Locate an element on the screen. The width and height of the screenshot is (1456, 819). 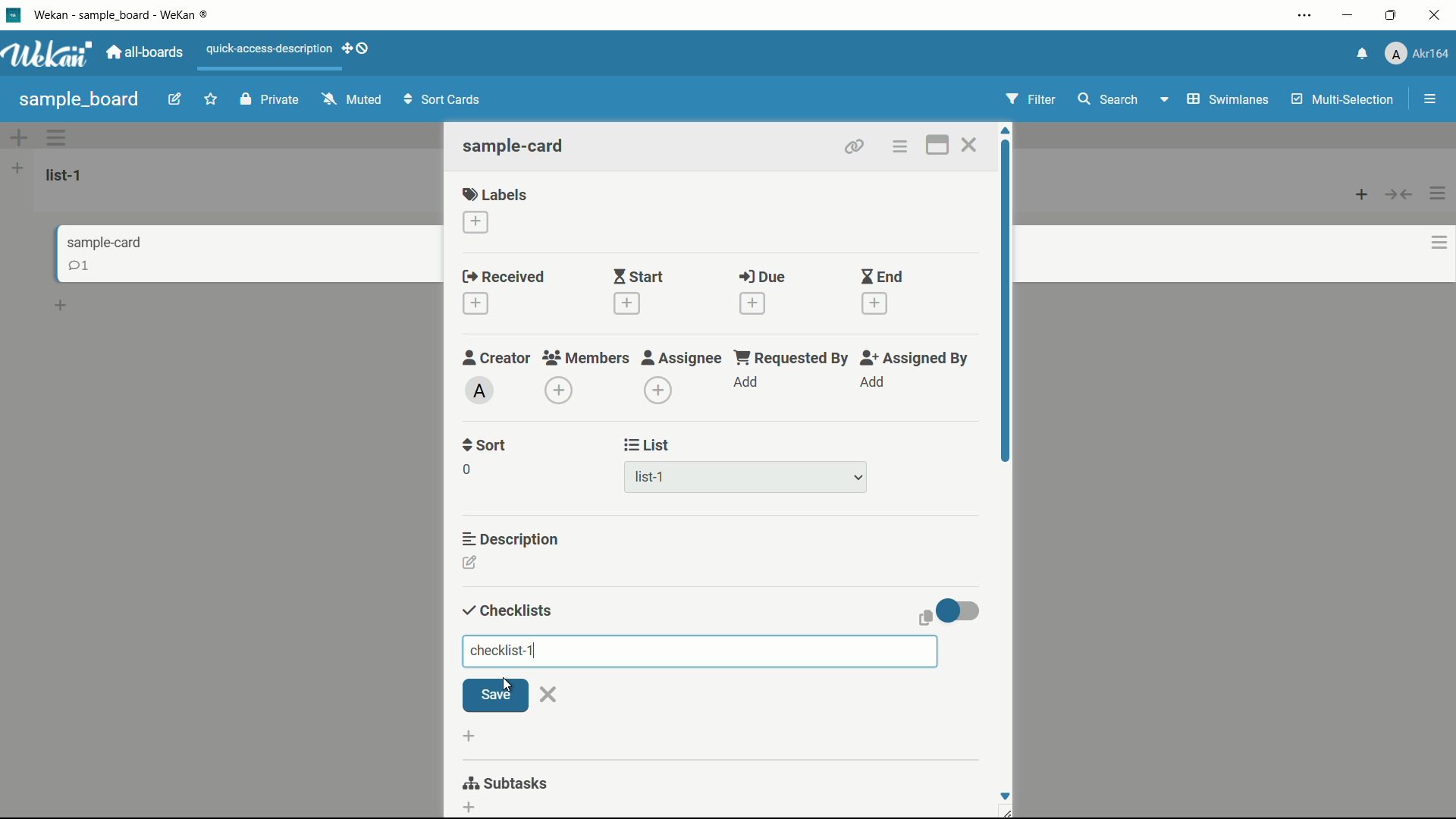
copy card link to clipboard is located at coordinates (855, 148).